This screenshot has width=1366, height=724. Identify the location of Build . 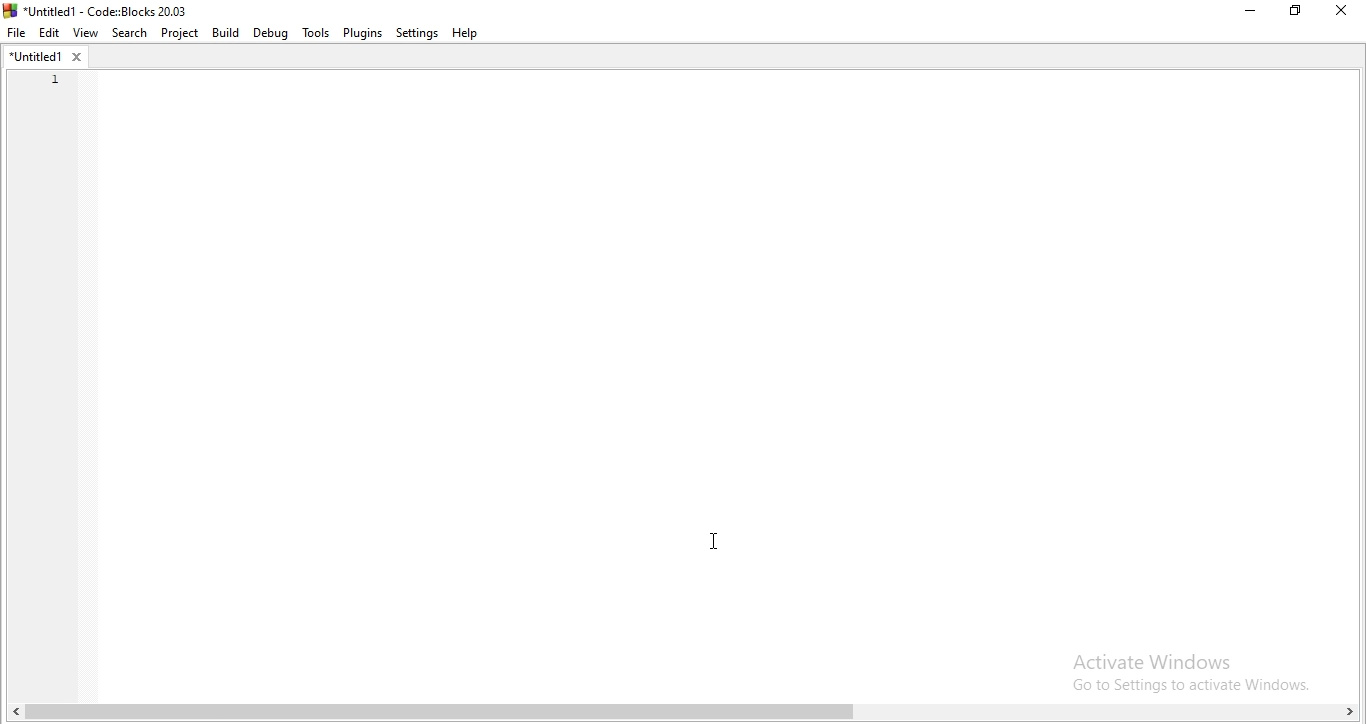
(225, 33).